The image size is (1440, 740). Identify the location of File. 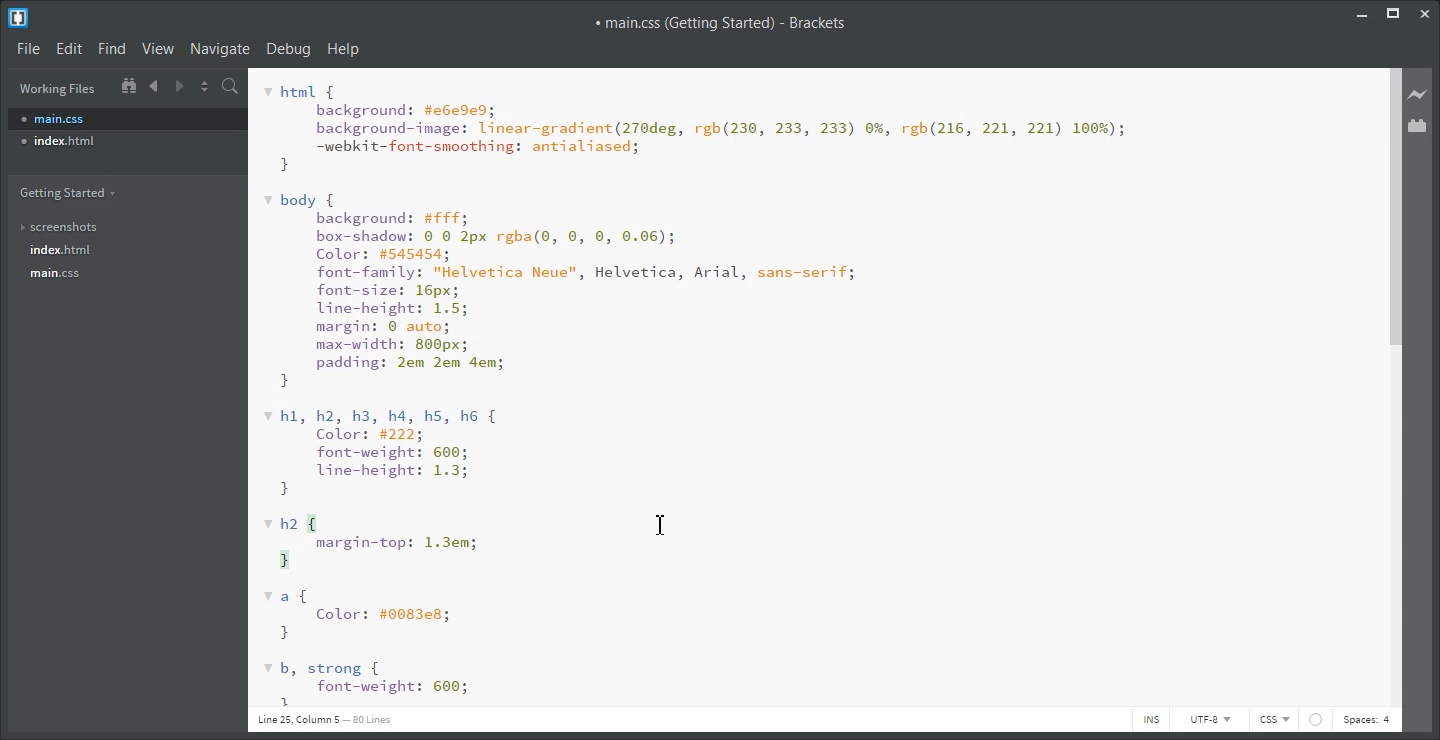
(27, 47).